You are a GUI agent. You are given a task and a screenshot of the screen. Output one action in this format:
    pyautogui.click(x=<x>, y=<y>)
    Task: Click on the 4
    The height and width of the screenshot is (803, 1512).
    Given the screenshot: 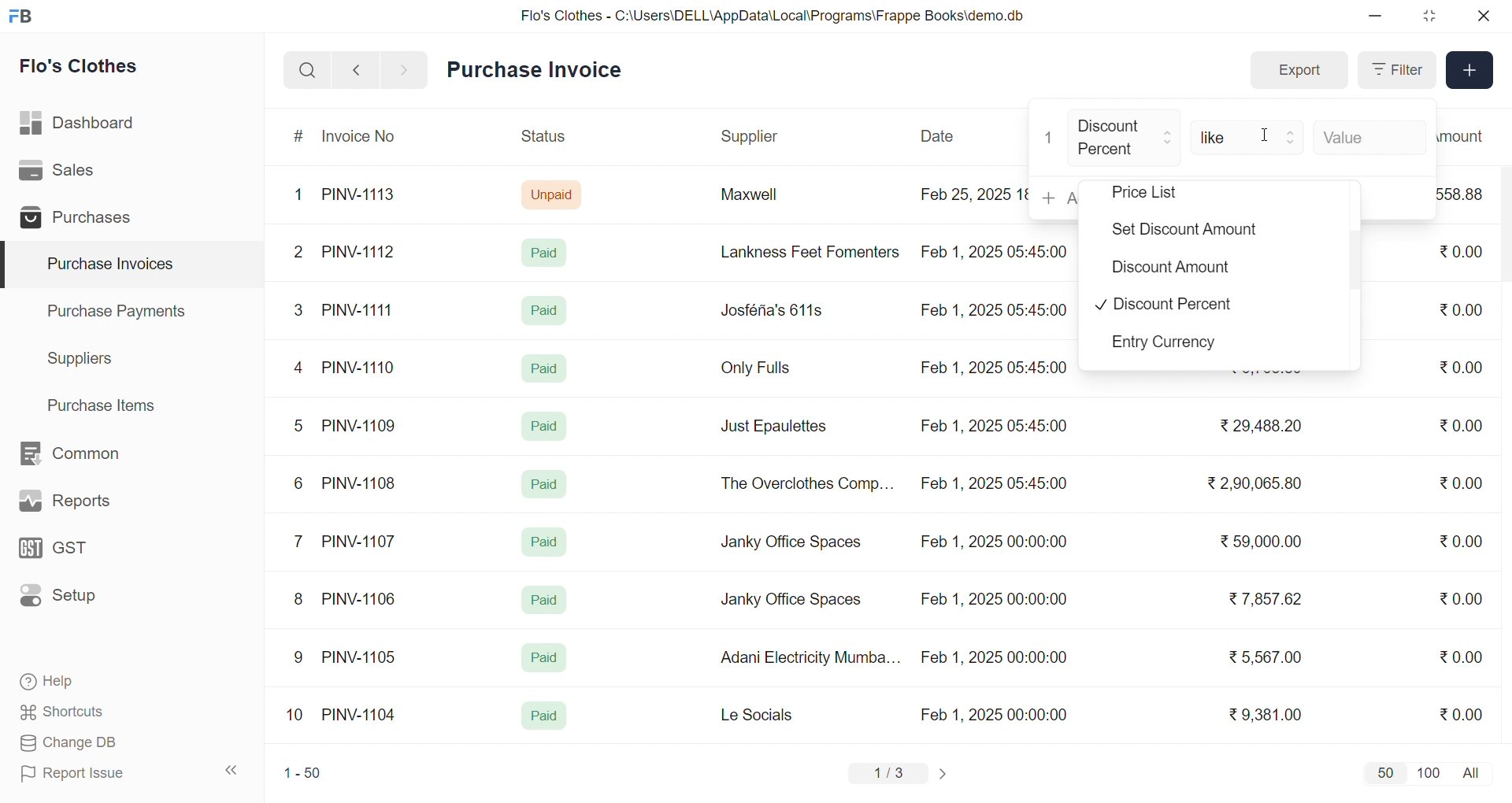 What is the action you would take?
    pyautogui.click(x=302, y=368)
    